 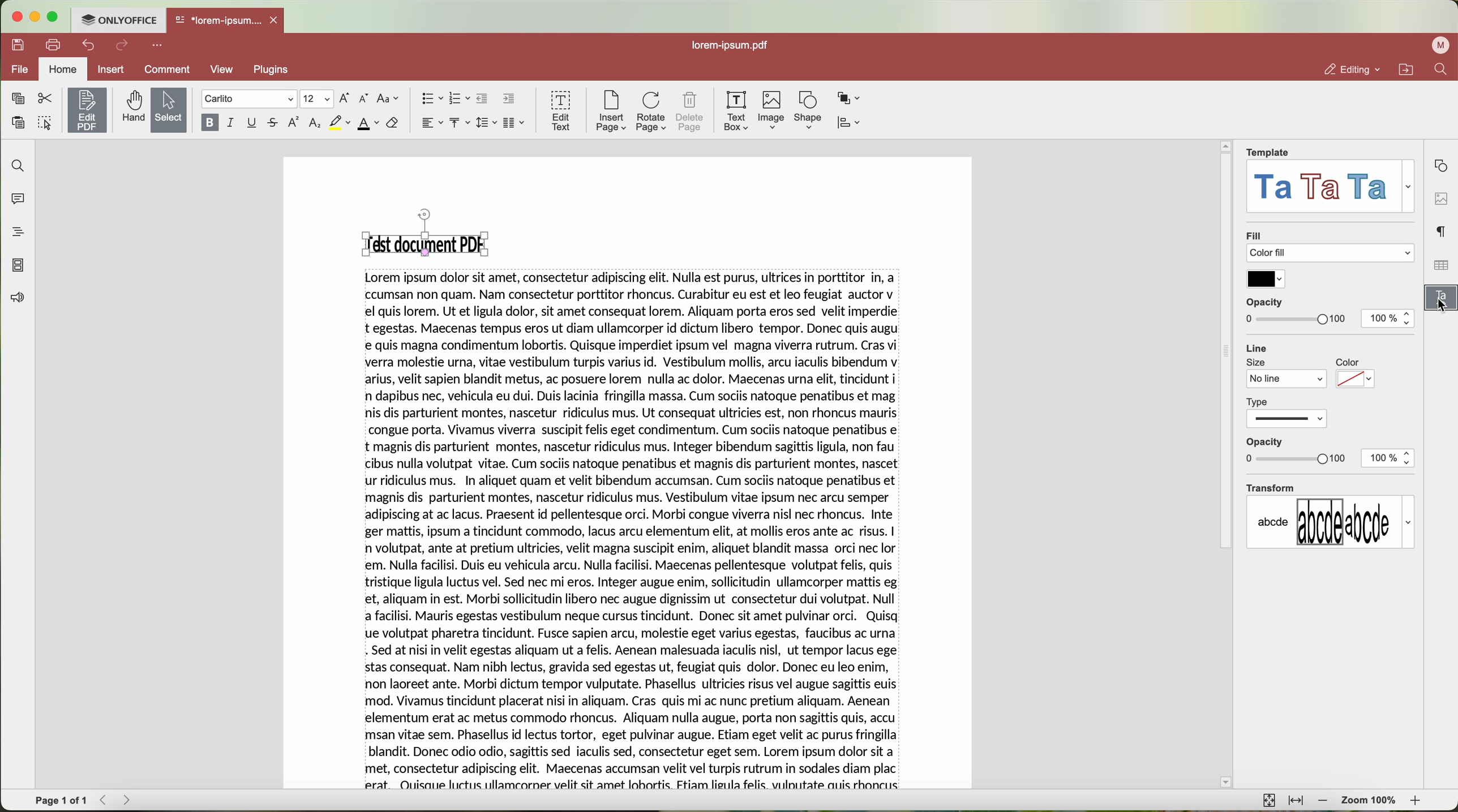 I want to click on undo, so click(x=87, y=46).